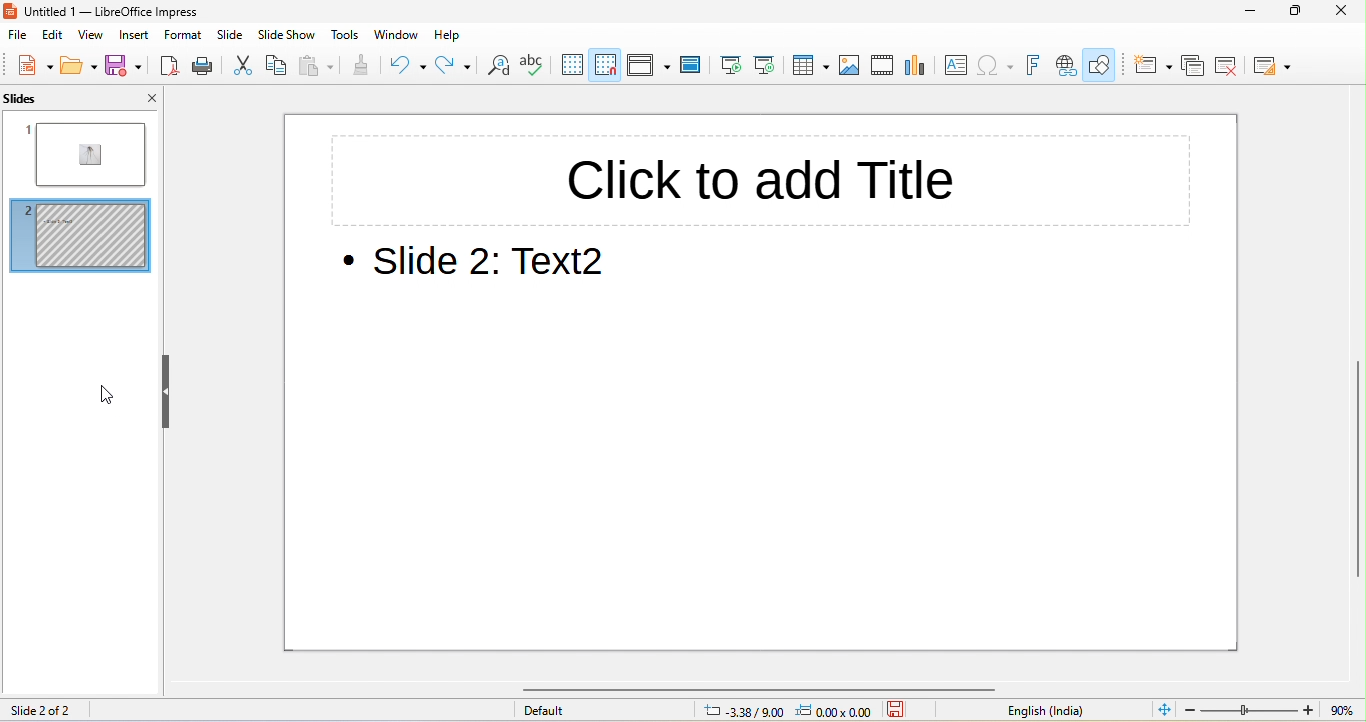 The image size is (1366, 722). Describe the element at coordinates (233, 37) in the screenshot. I see `slide` at that location.